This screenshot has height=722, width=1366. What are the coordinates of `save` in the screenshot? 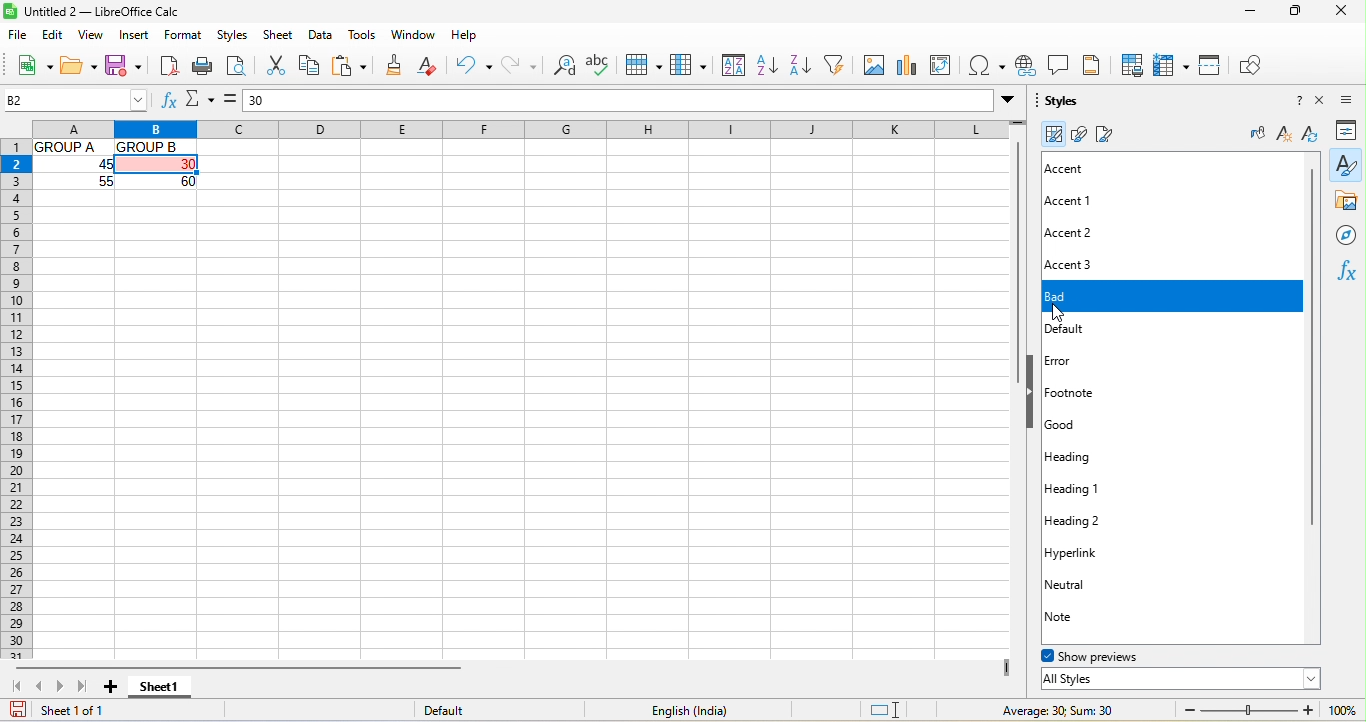 It's located at (15, 710).